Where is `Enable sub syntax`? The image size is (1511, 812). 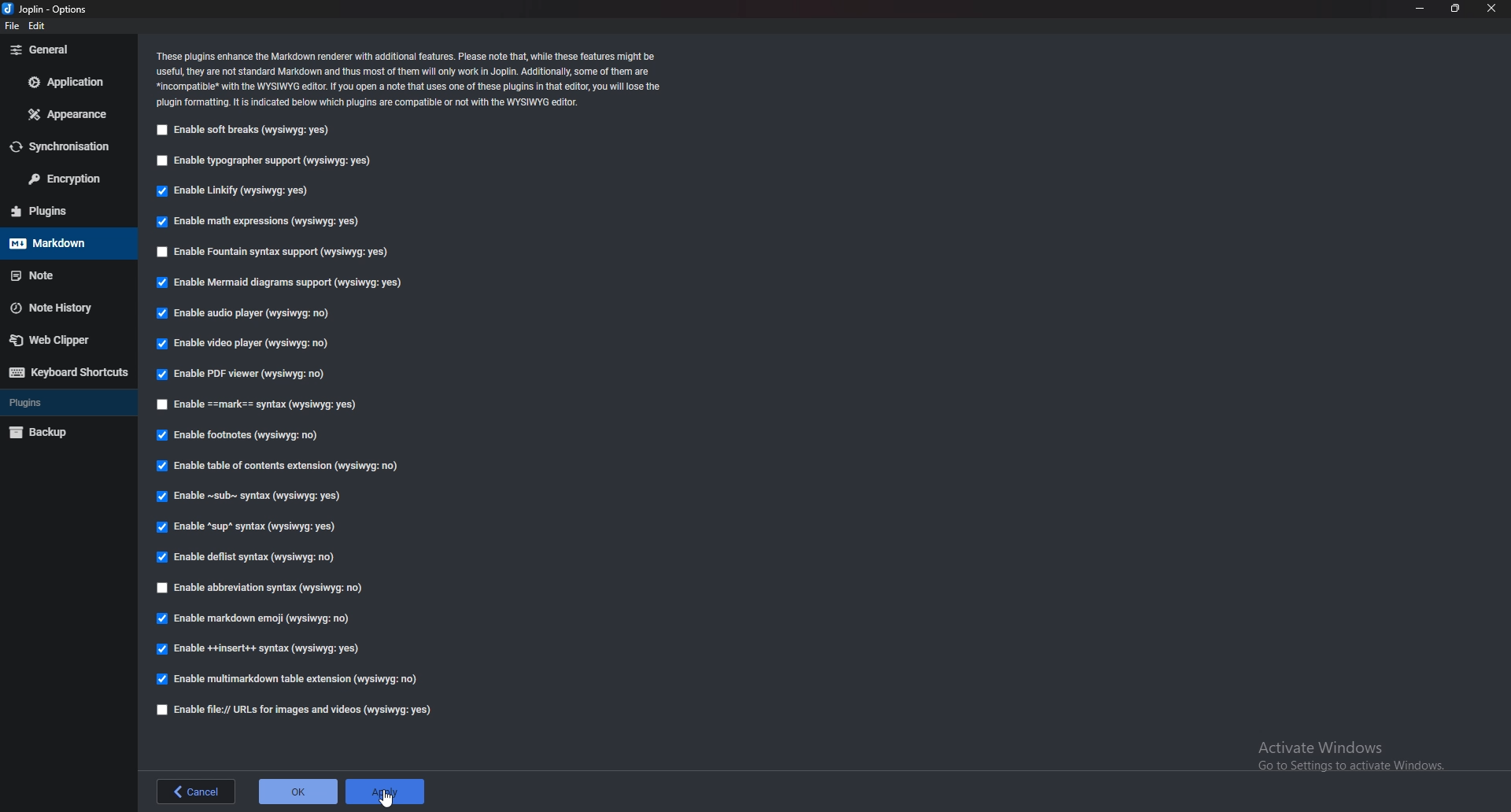 Enable sub syntax is located at coordinates (252, 500).